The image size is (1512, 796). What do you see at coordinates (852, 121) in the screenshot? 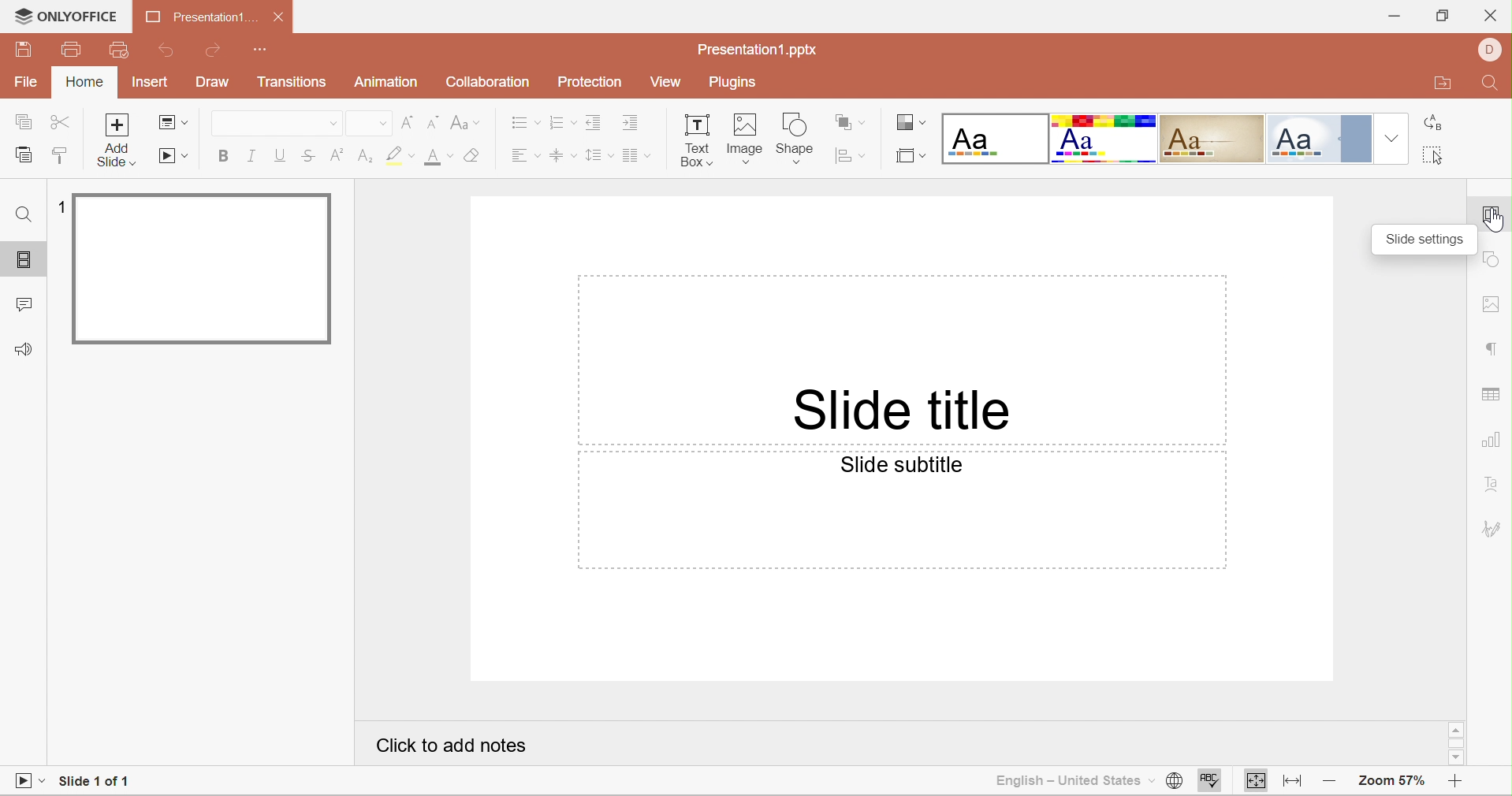
I see `Arrange shape` at bounding box center [852, 121].